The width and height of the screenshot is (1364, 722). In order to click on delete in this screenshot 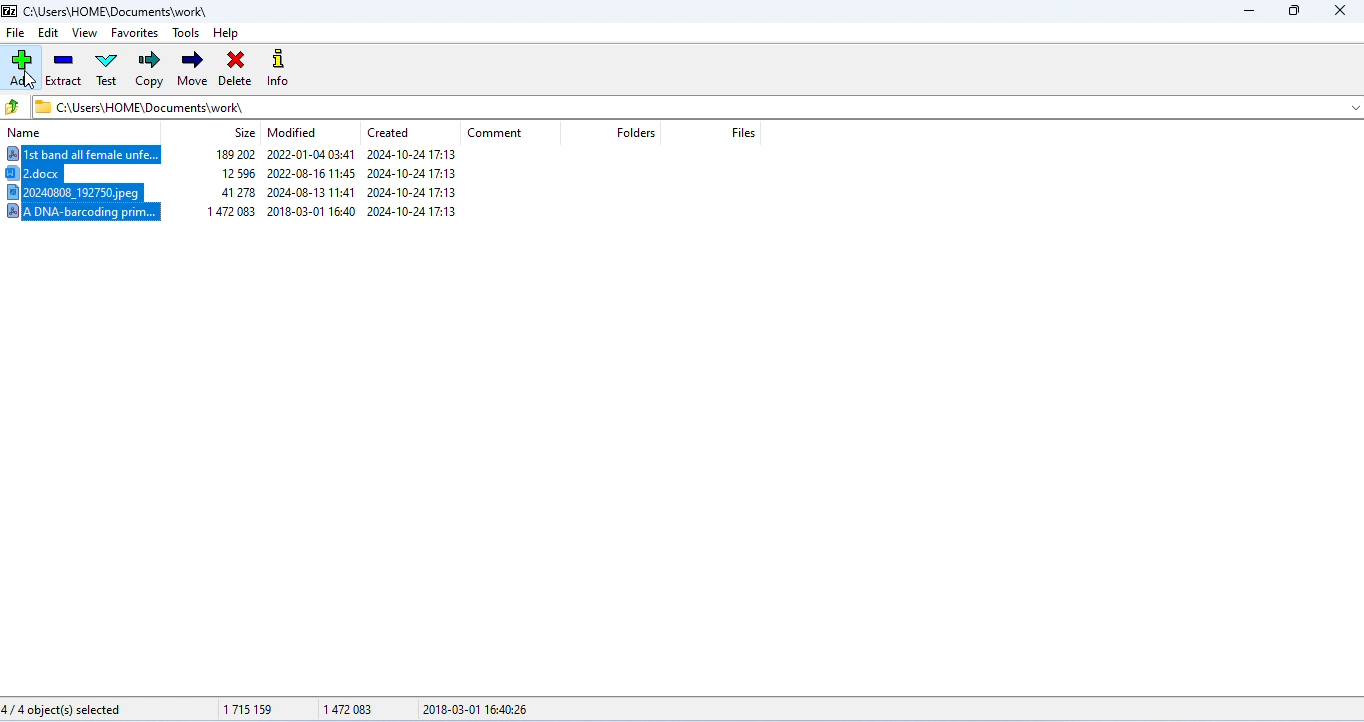, I will do `click(234, 70)`.